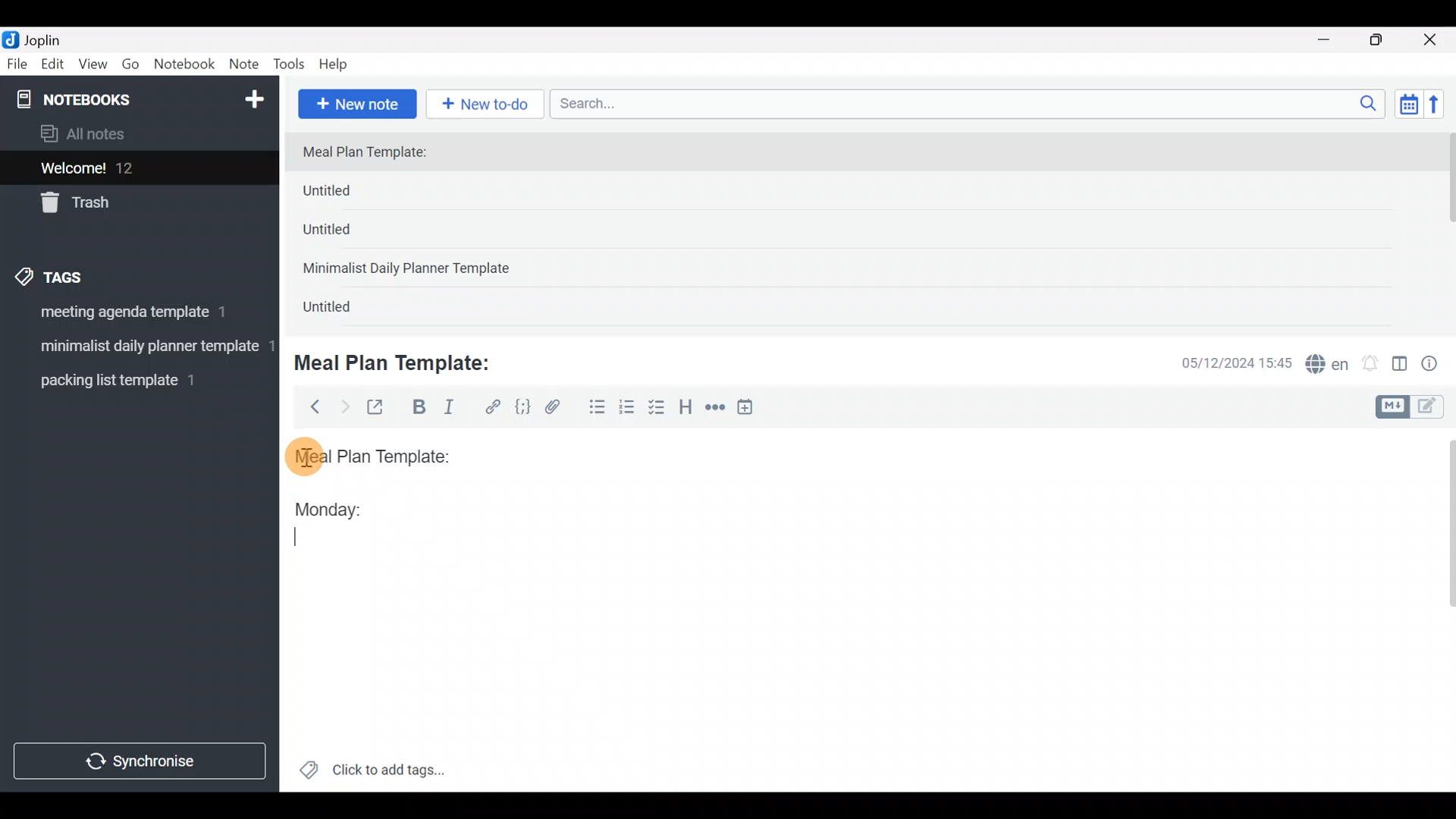 The image size is (1456, 819). What do you see at coordinates (130, 204) in the screenshot?
I see `Trash` at bounding box center [130, 204].